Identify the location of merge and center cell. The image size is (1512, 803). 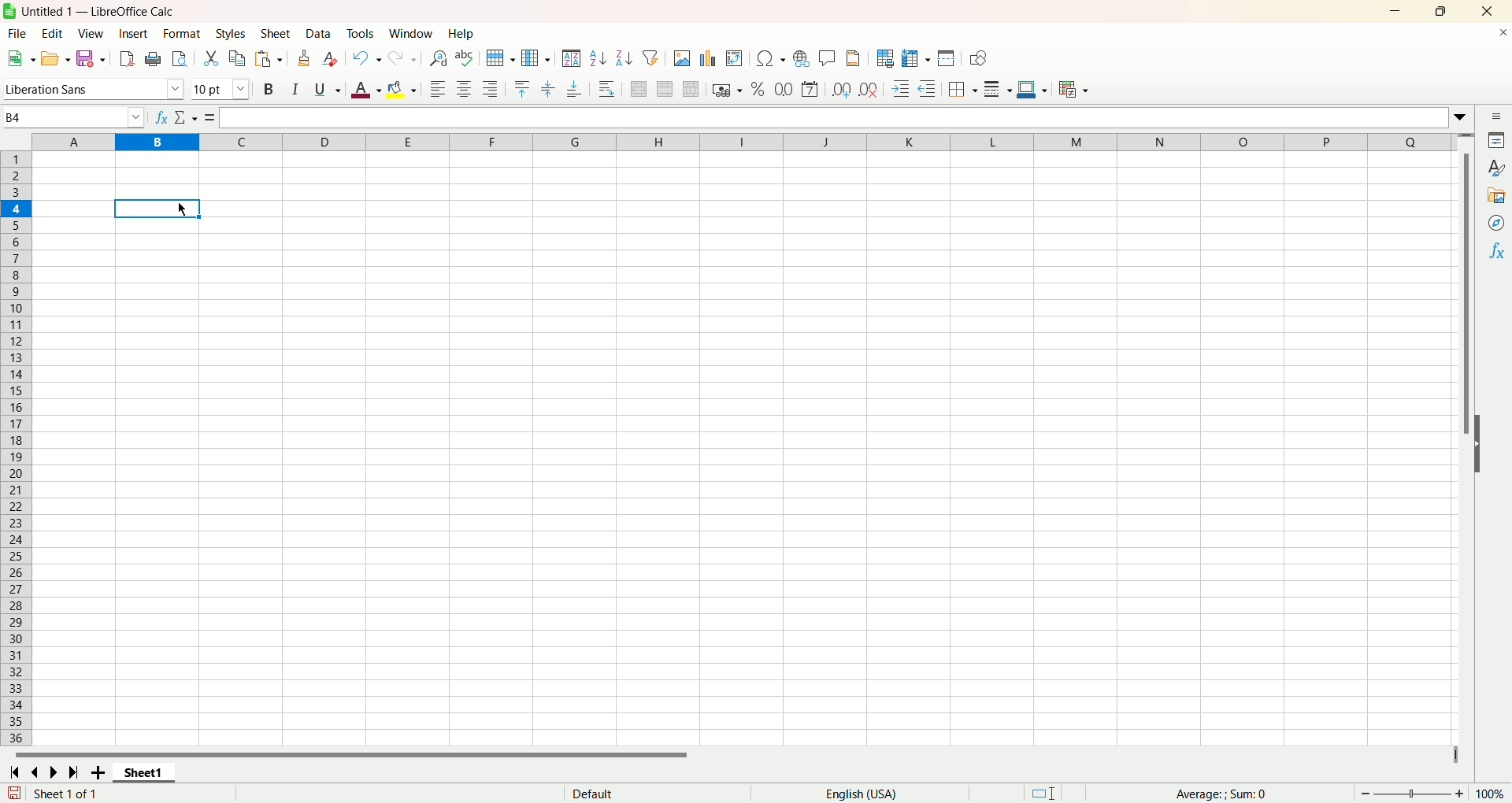
(641, 87).